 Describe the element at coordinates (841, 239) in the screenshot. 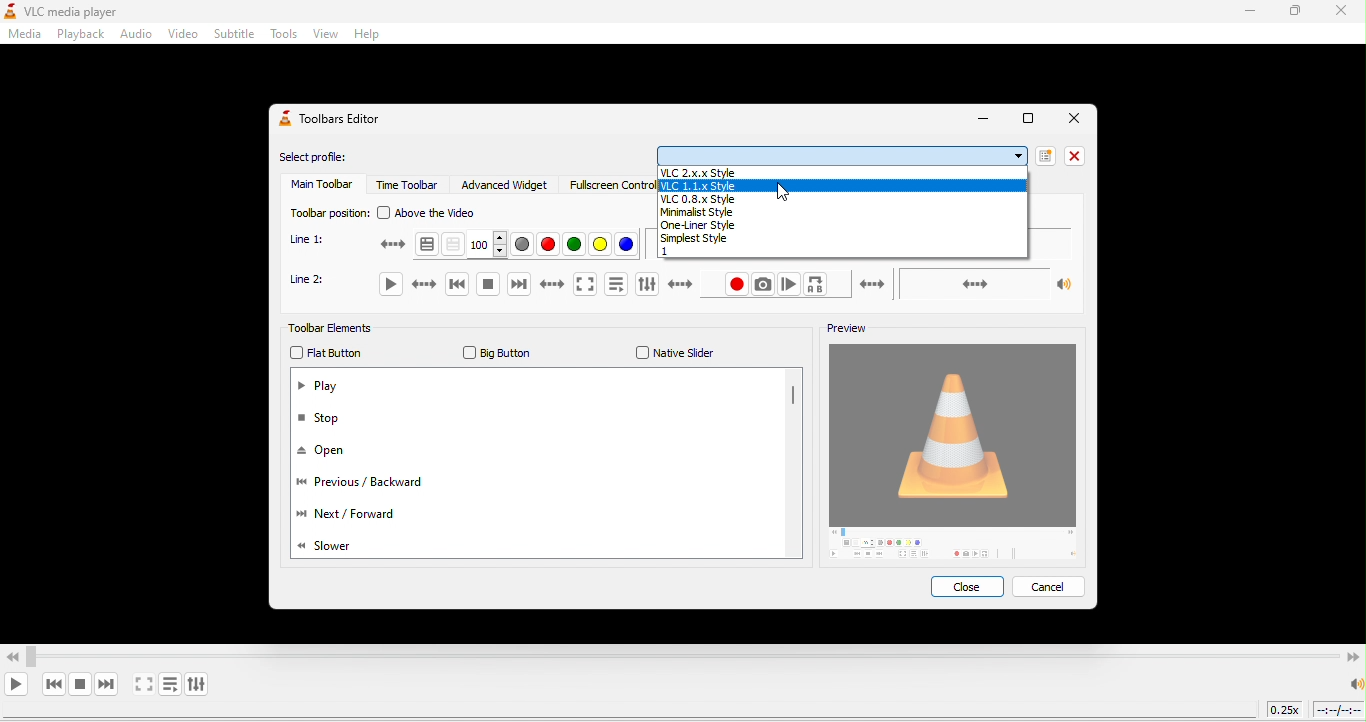

I see `simplest style` at that location.